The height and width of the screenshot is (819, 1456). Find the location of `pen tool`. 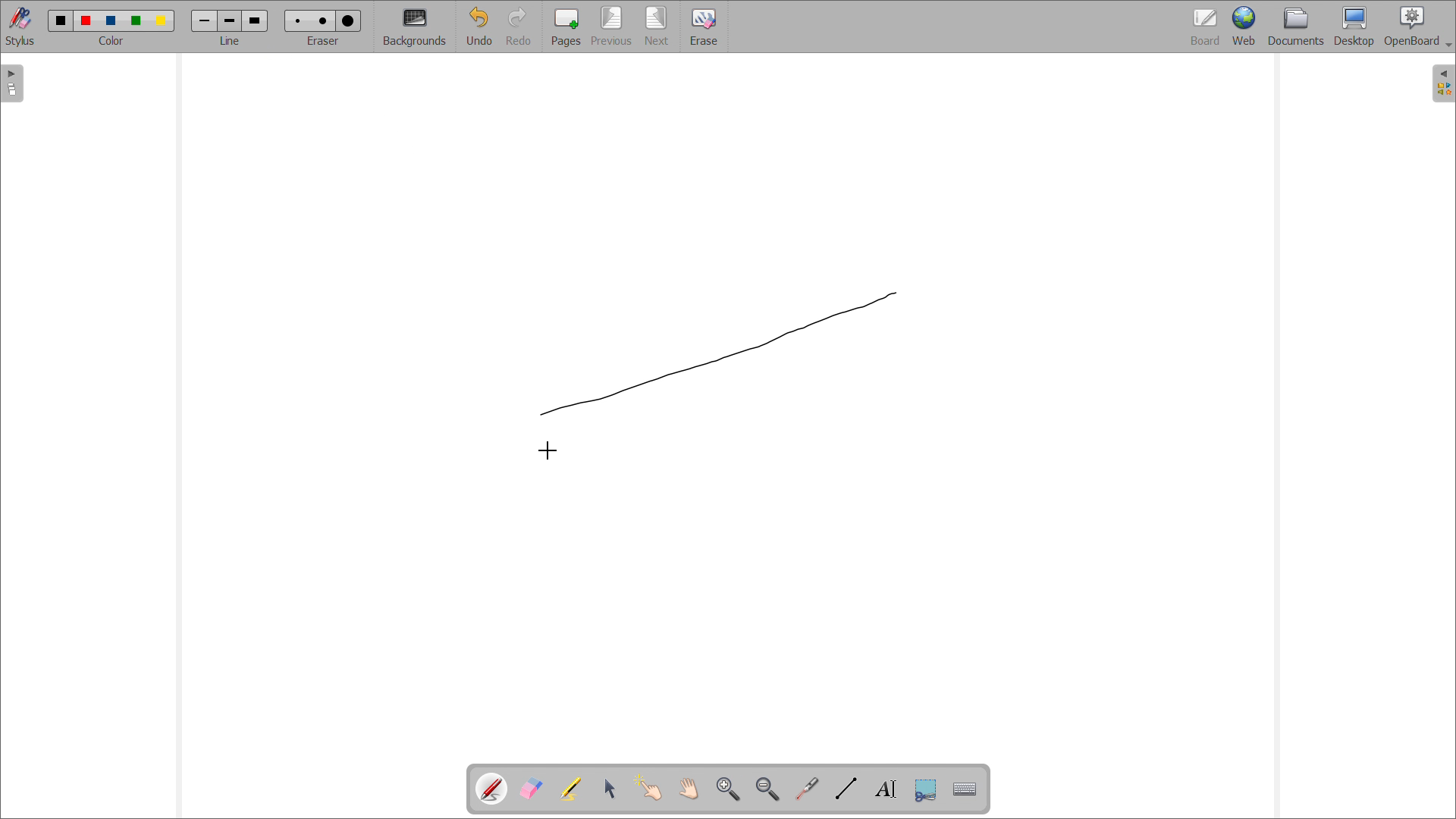

pen tool is located at coordinates (494, 789).